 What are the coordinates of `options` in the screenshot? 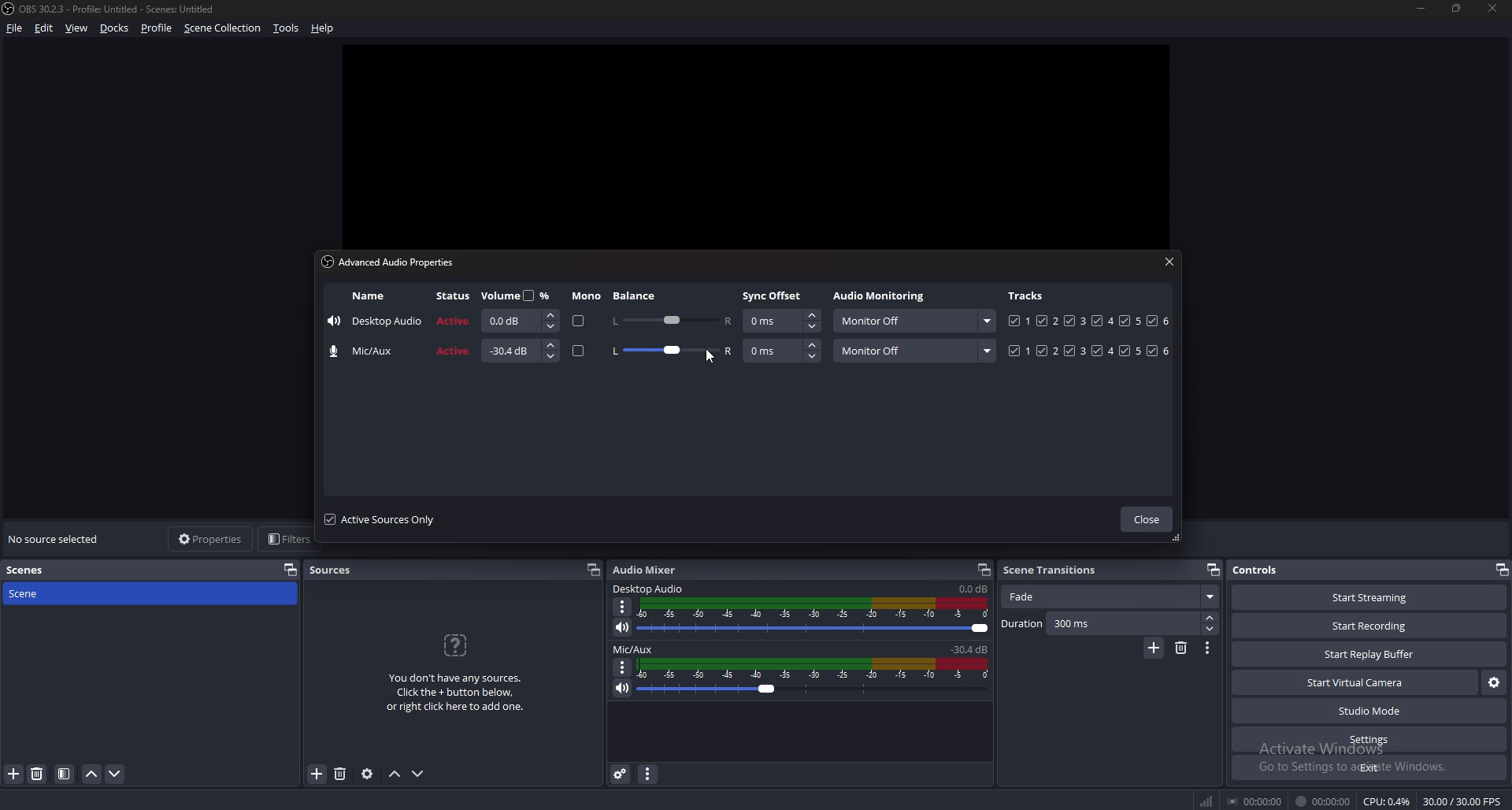 It's located at (623, 607).